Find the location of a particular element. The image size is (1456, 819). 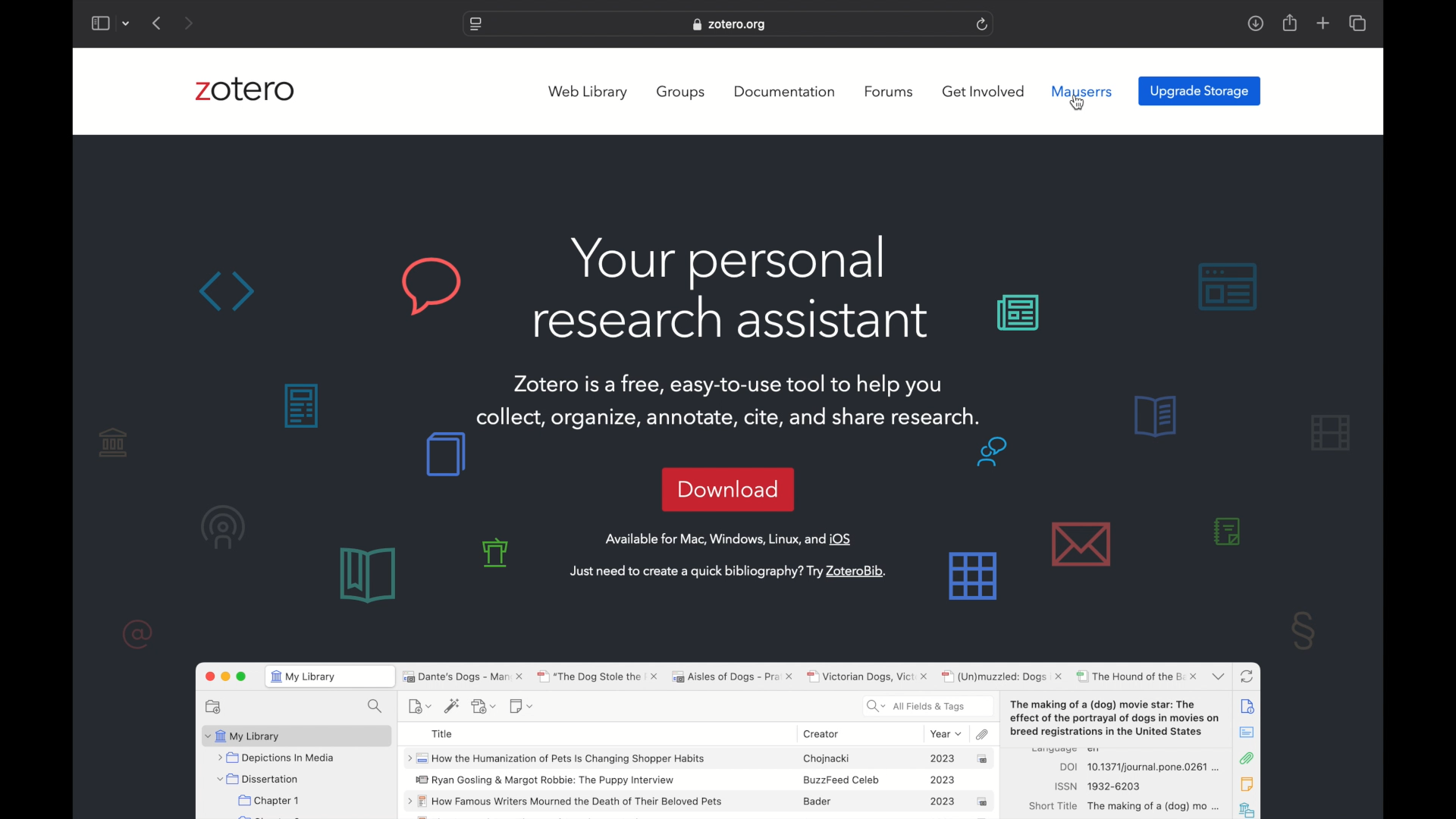

forums is located at coordinates (889, 92).